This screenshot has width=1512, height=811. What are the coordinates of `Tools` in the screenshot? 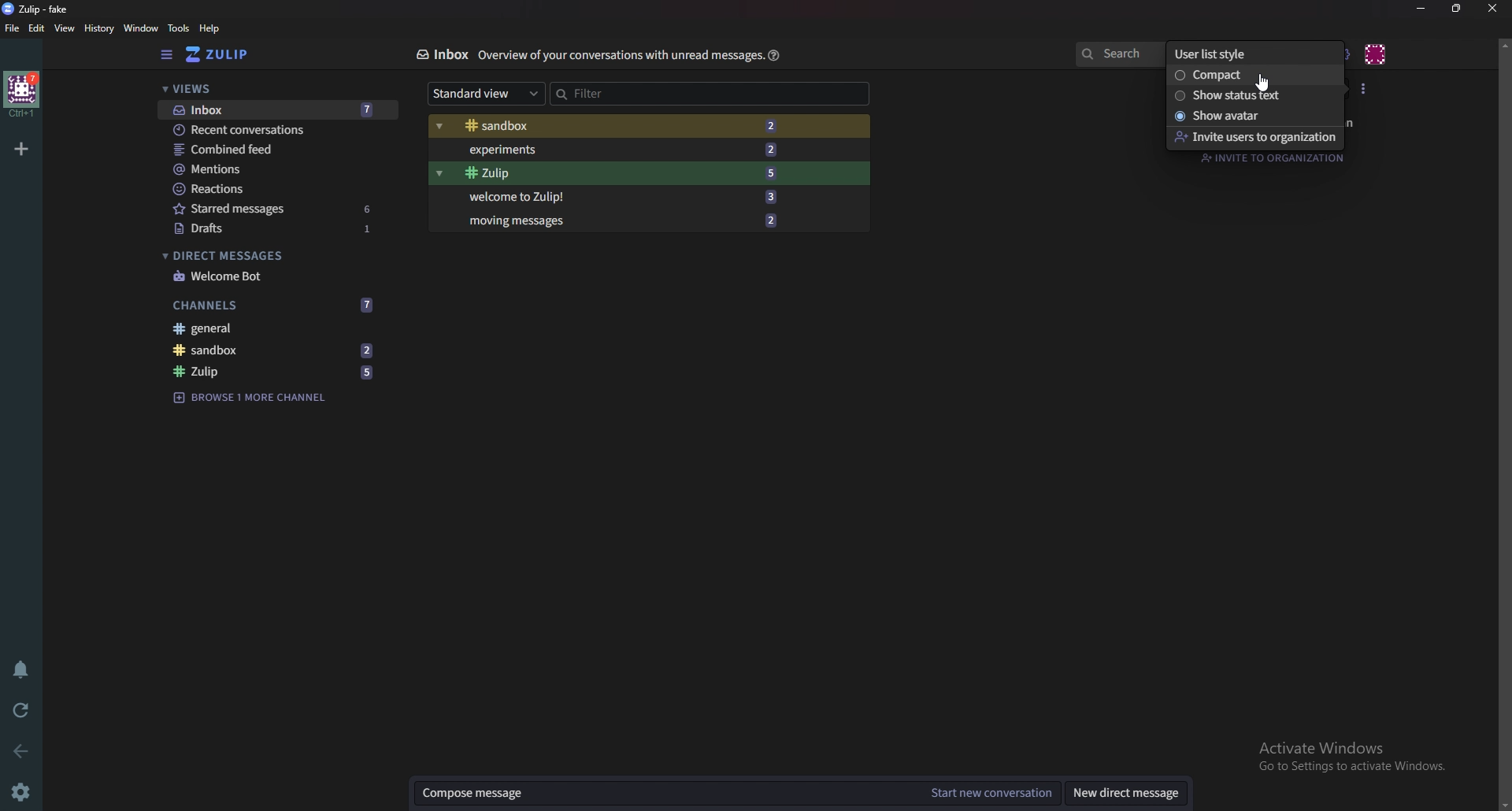 It's located at (179, 29).